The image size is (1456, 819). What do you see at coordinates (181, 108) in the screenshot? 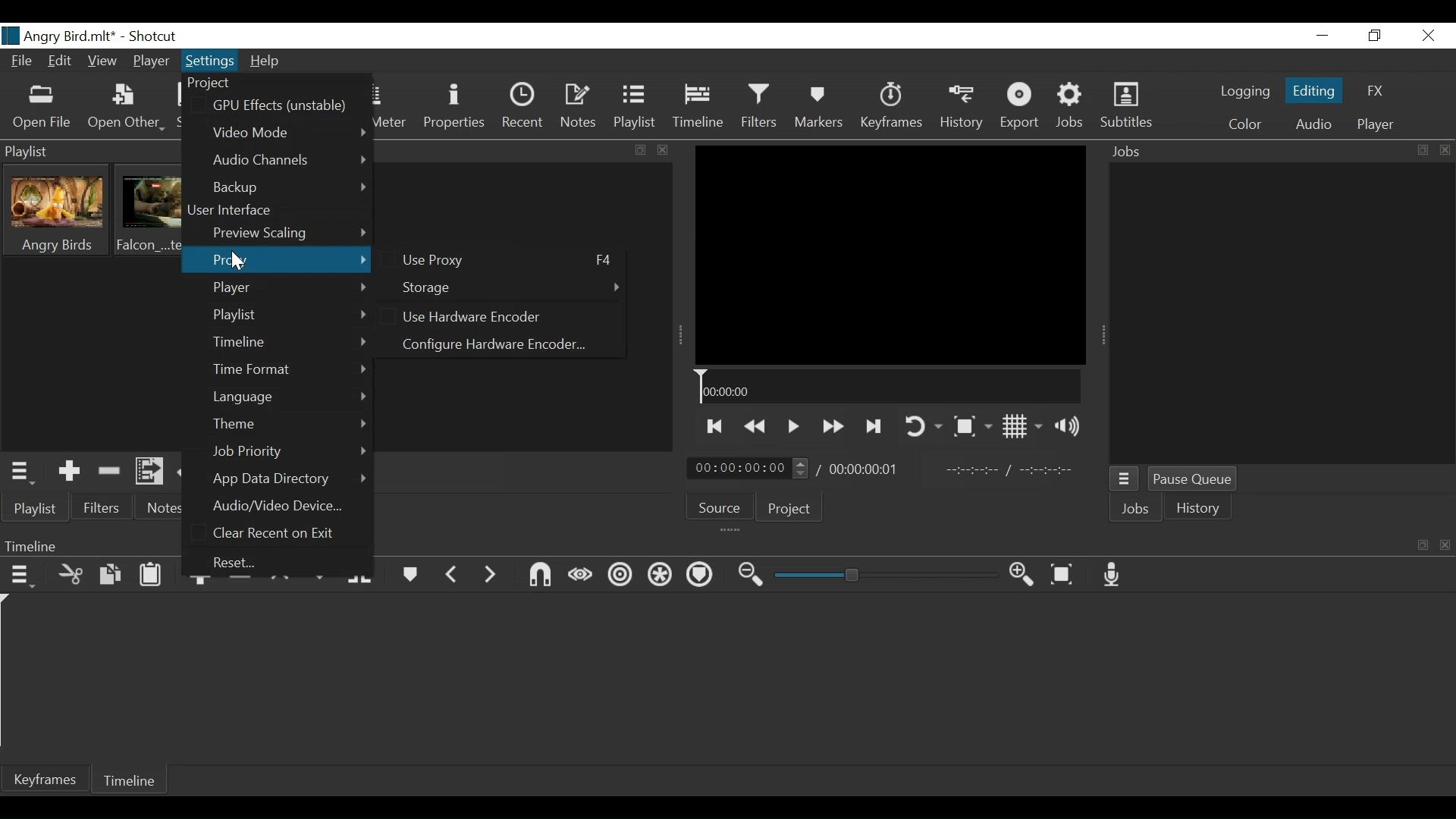
I see `Save` at bounding box center [181, 108].